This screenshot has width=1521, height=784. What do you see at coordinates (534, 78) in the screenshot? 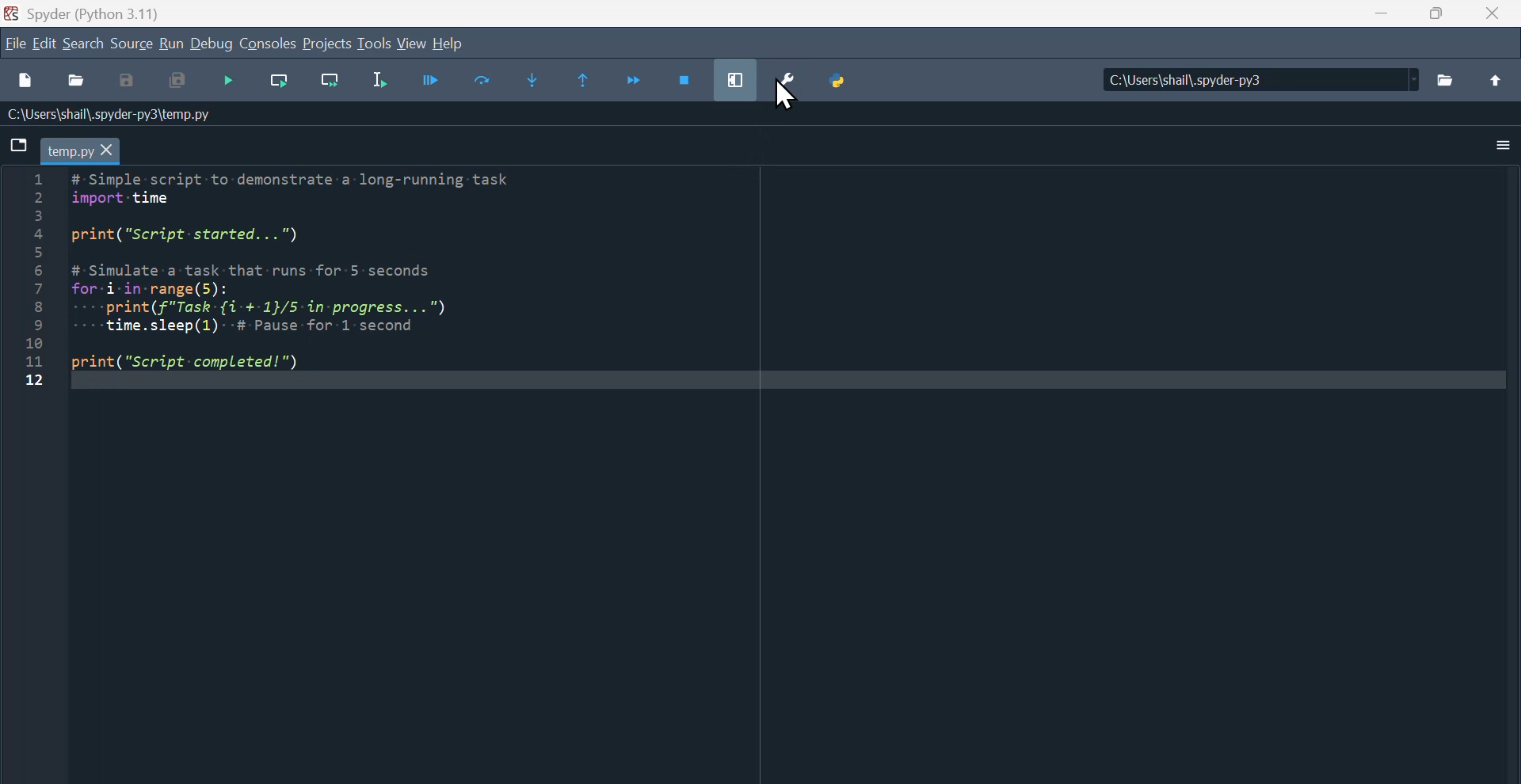
I see `Step into function` at bounding box center [534, 78].